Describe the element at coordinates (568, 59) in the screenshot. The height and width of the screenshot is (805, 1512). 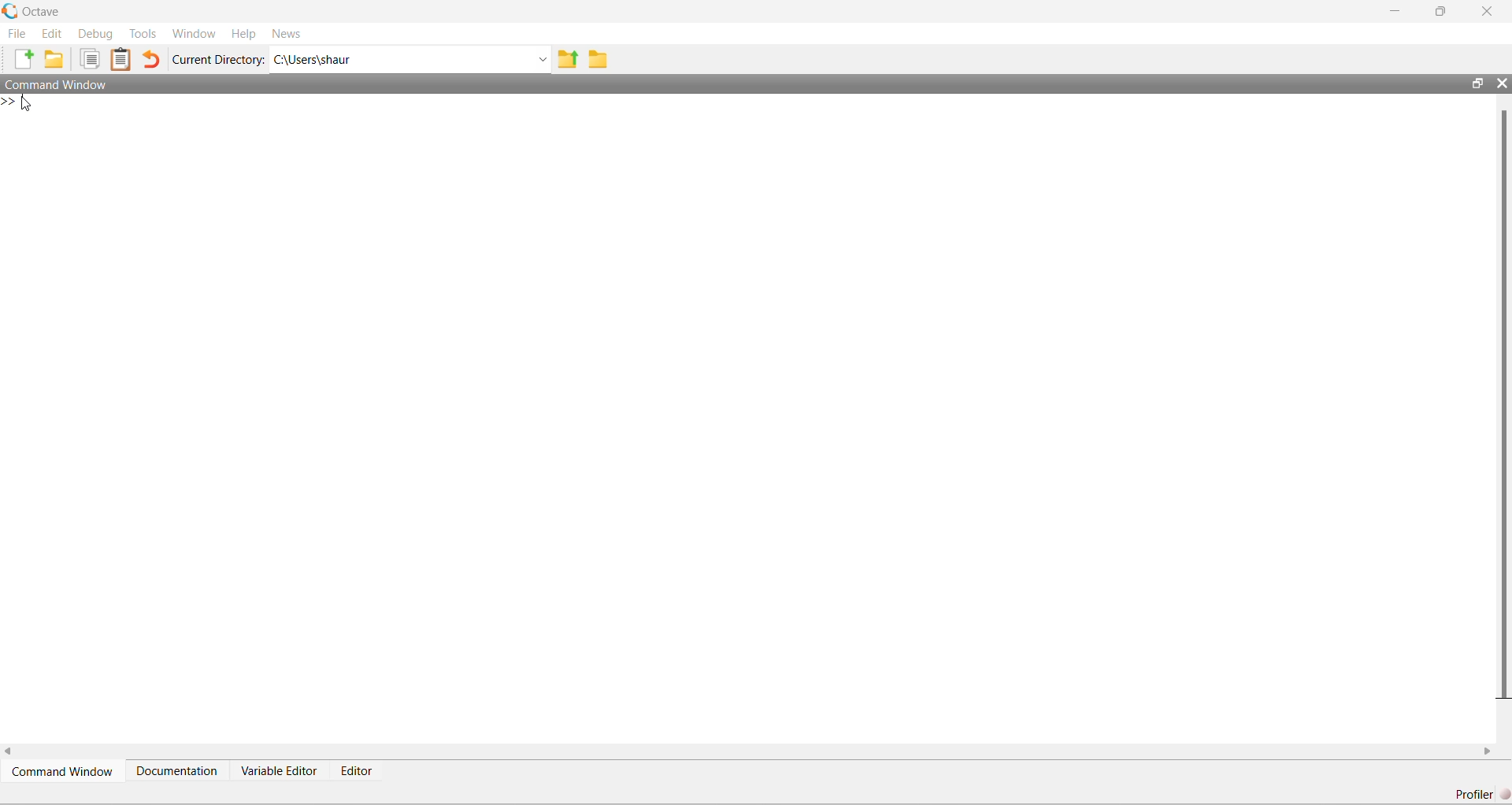
I see `Previous Folder` at that location.